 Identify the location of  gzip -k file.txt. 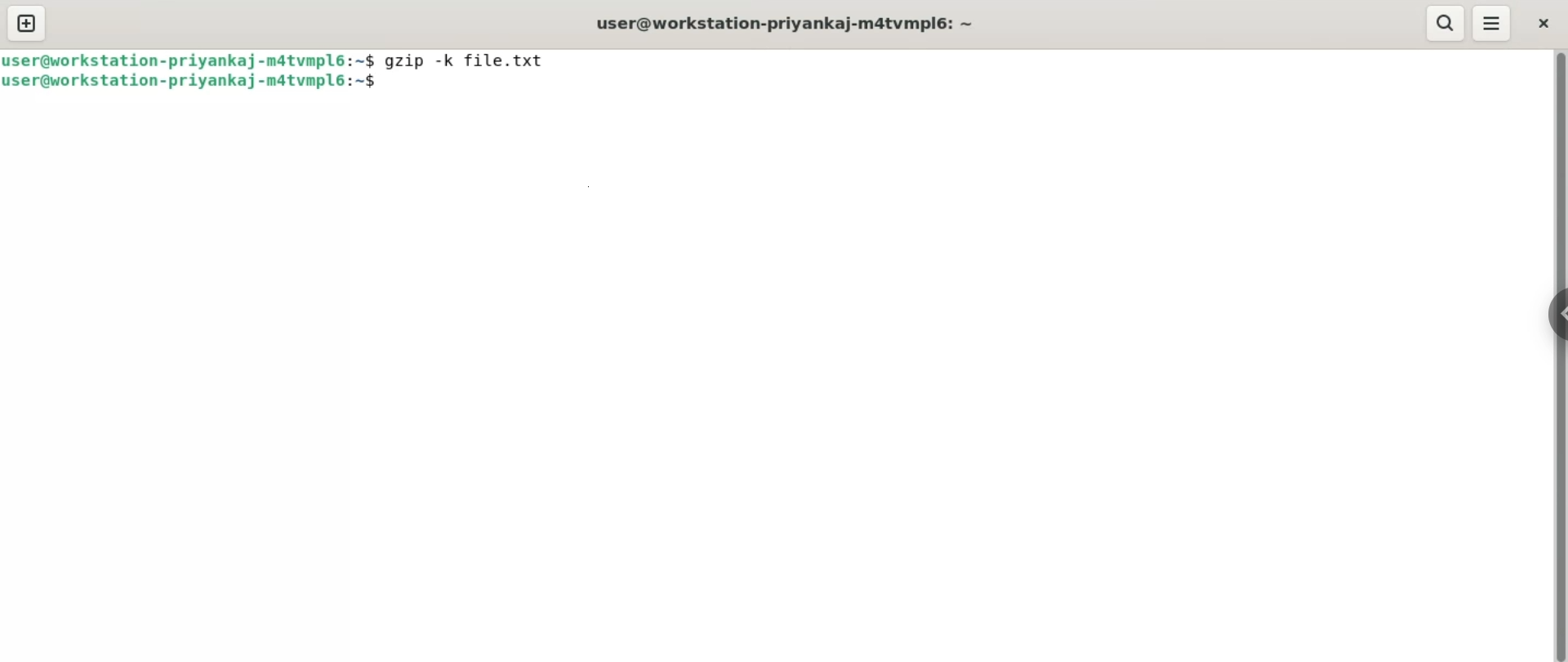
(475, 64).